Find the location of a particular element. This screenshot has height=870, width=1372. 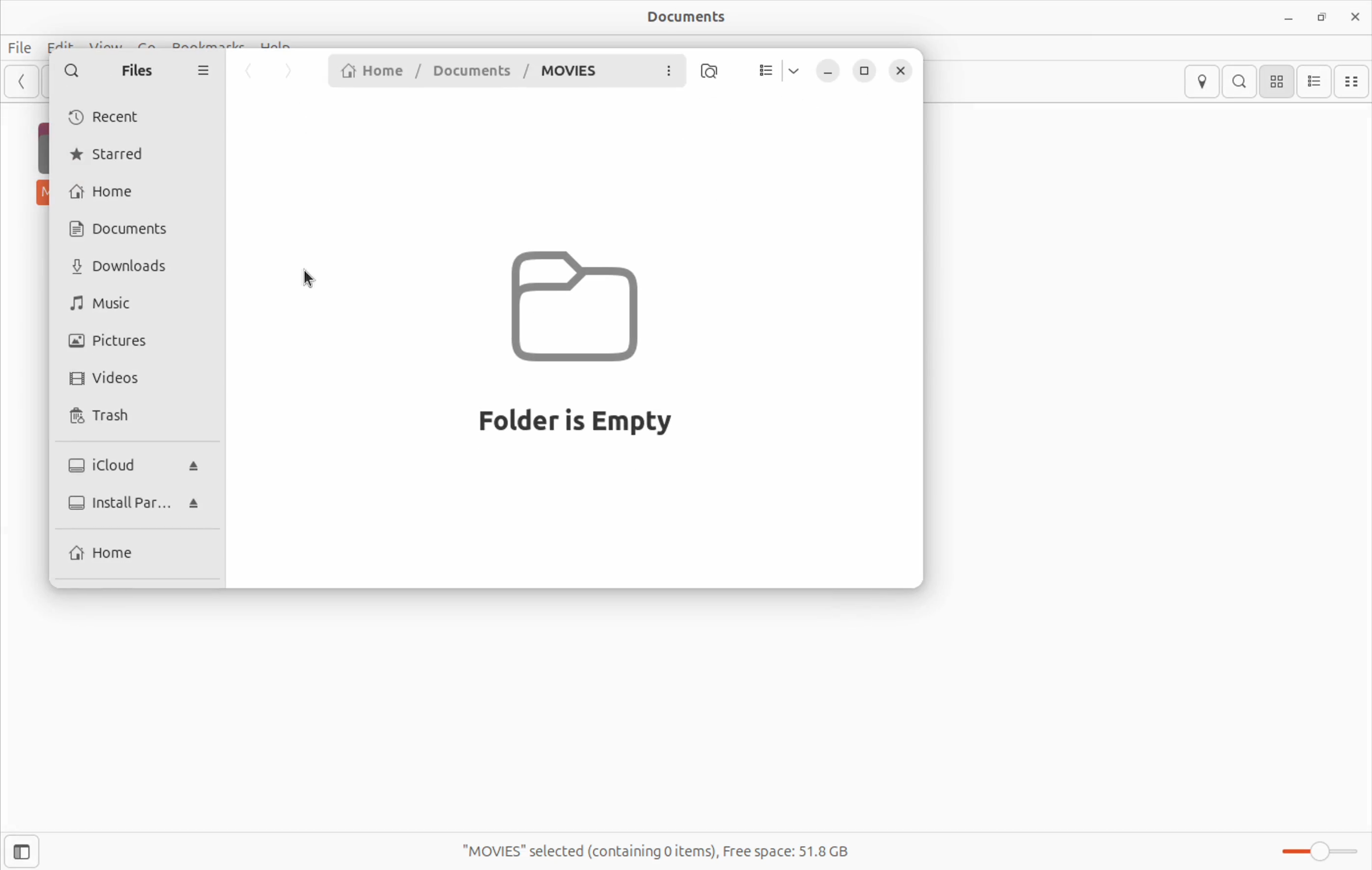

Starred is located at coordinates (113, 156).